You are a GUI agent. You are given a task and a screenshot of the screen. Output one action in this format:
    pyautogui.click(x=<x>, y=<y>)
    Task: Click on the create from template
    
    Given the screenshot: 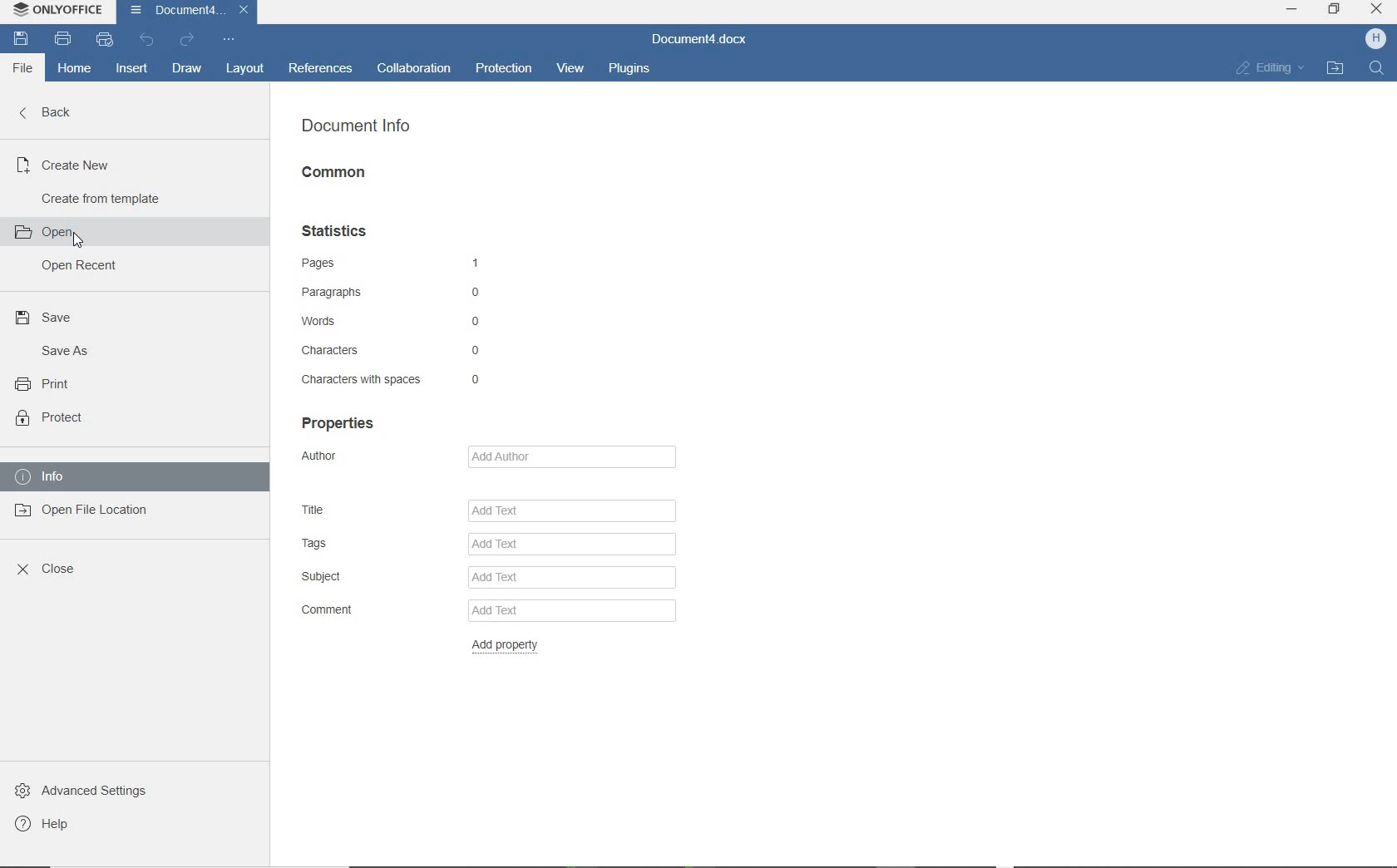 What is the action you would take?
    pyautogui.click(x=101, y=198)
    